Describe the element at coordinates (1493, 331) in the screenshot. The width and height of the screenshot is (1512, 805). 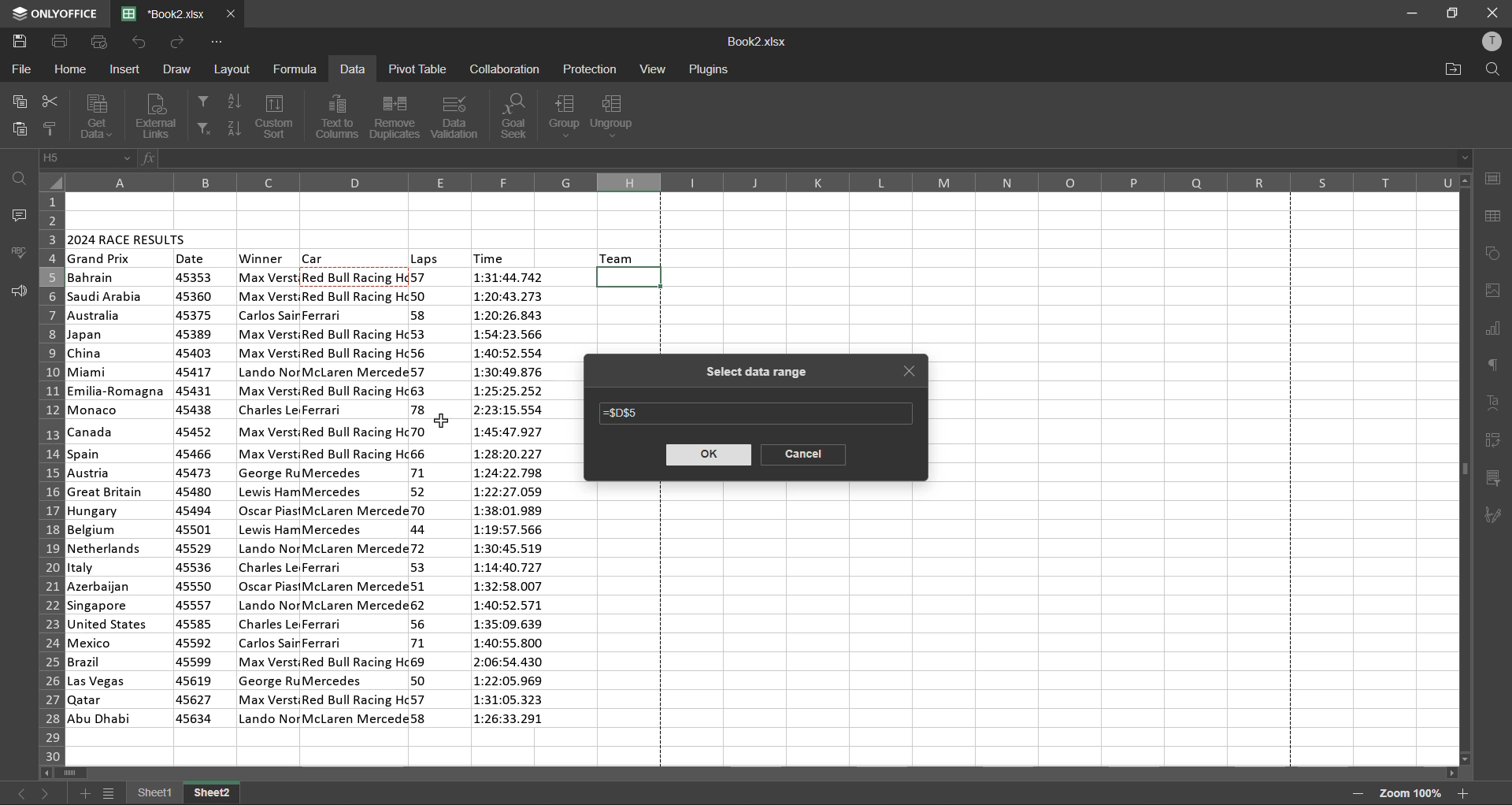
I see `charts` at that location.